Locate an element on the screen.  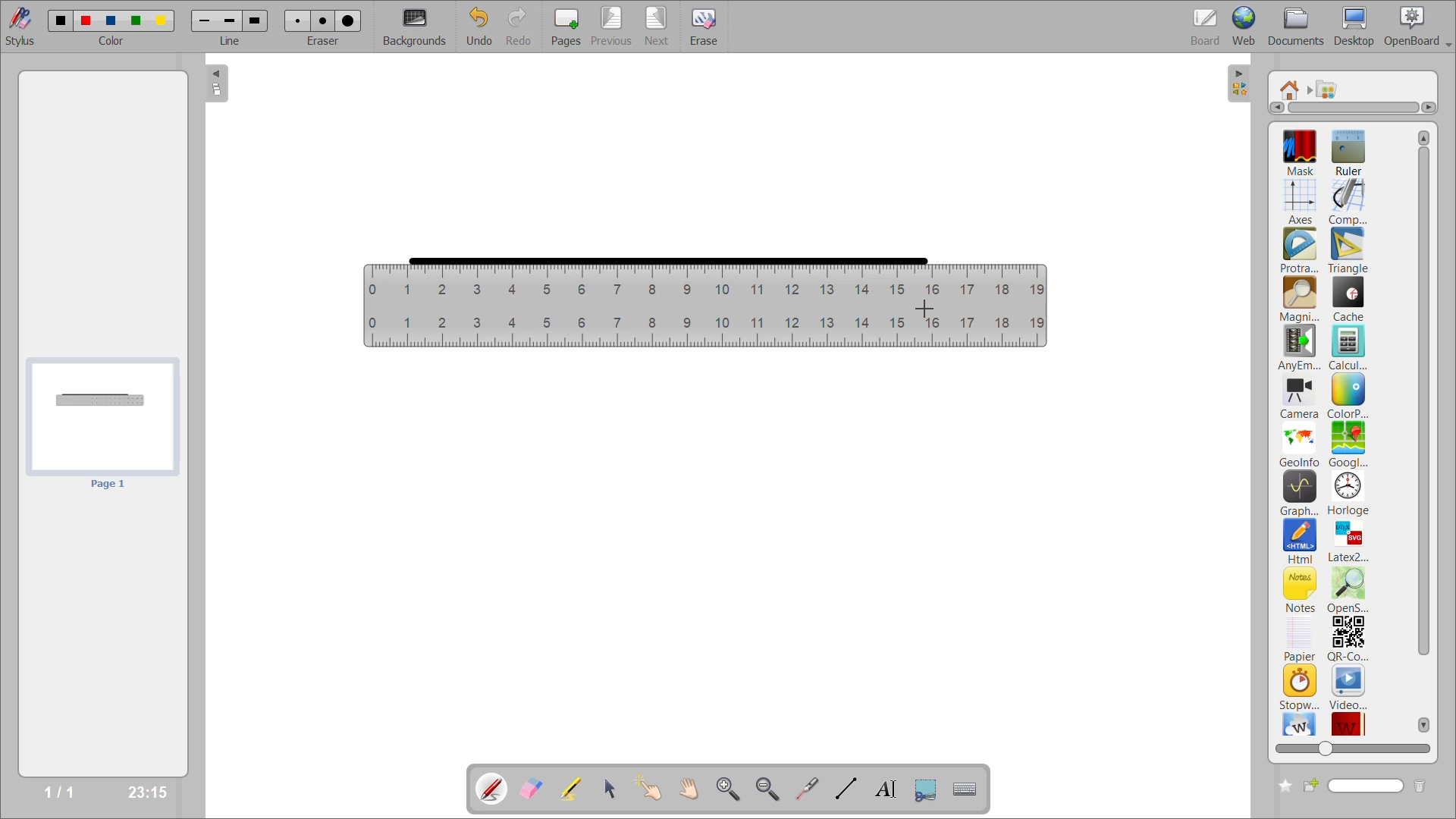
scroll page is located at coordinates (689, 787).